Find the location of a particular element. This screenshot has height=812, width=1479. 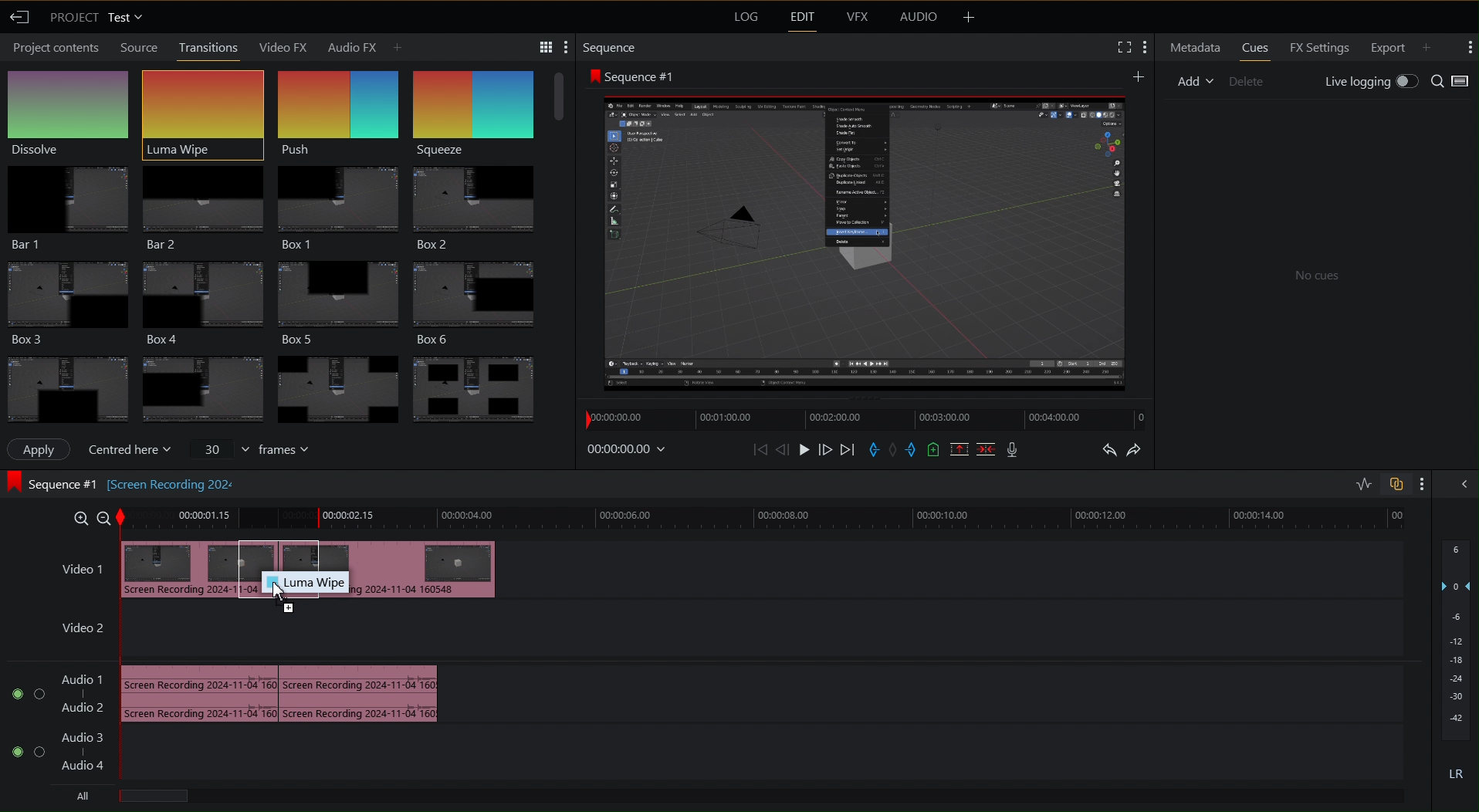

More is located at coordinates (1470, 49).